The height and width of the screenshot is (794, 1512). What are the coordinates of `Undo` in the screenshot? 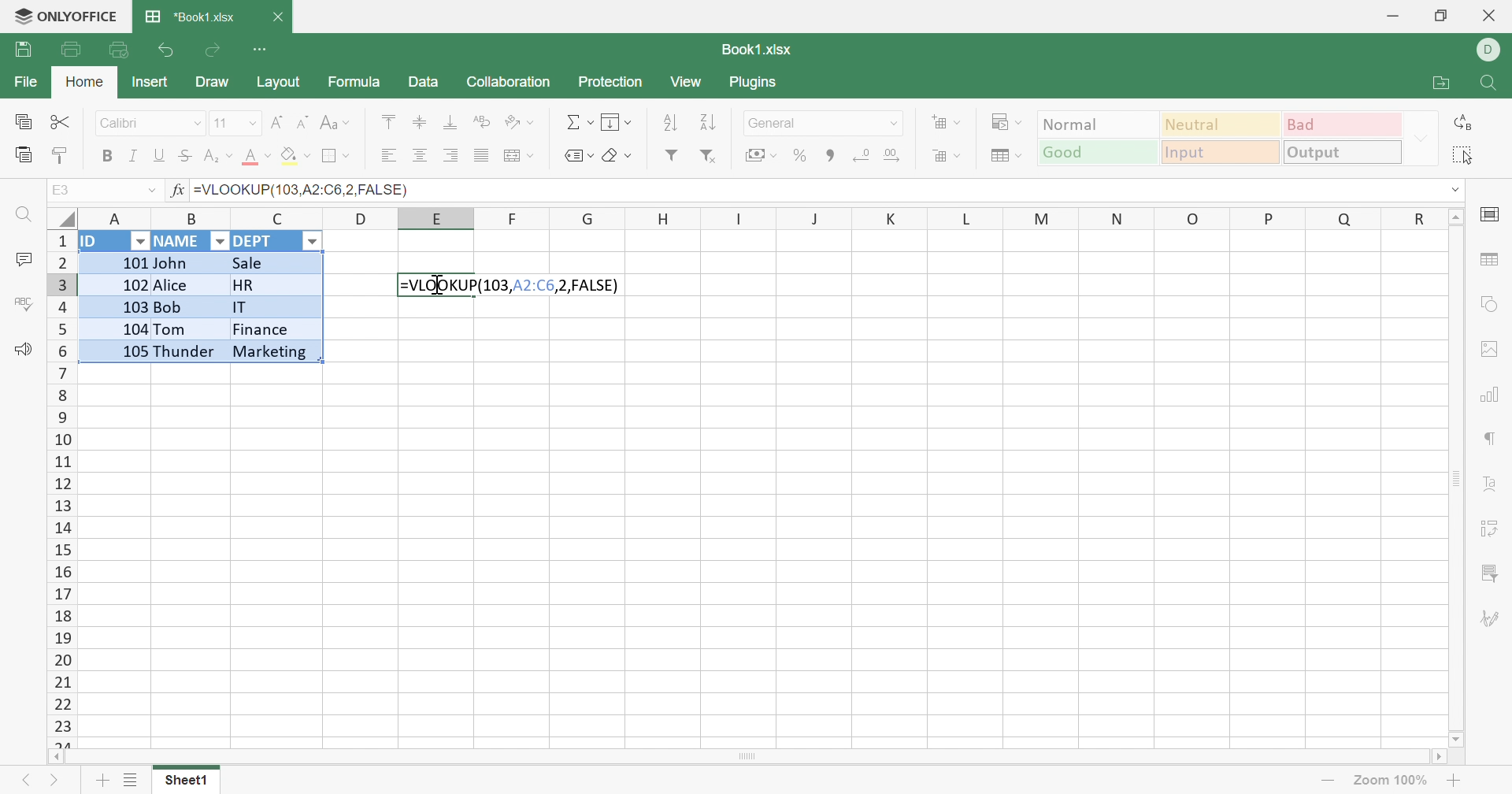 It's located at (165, 50).